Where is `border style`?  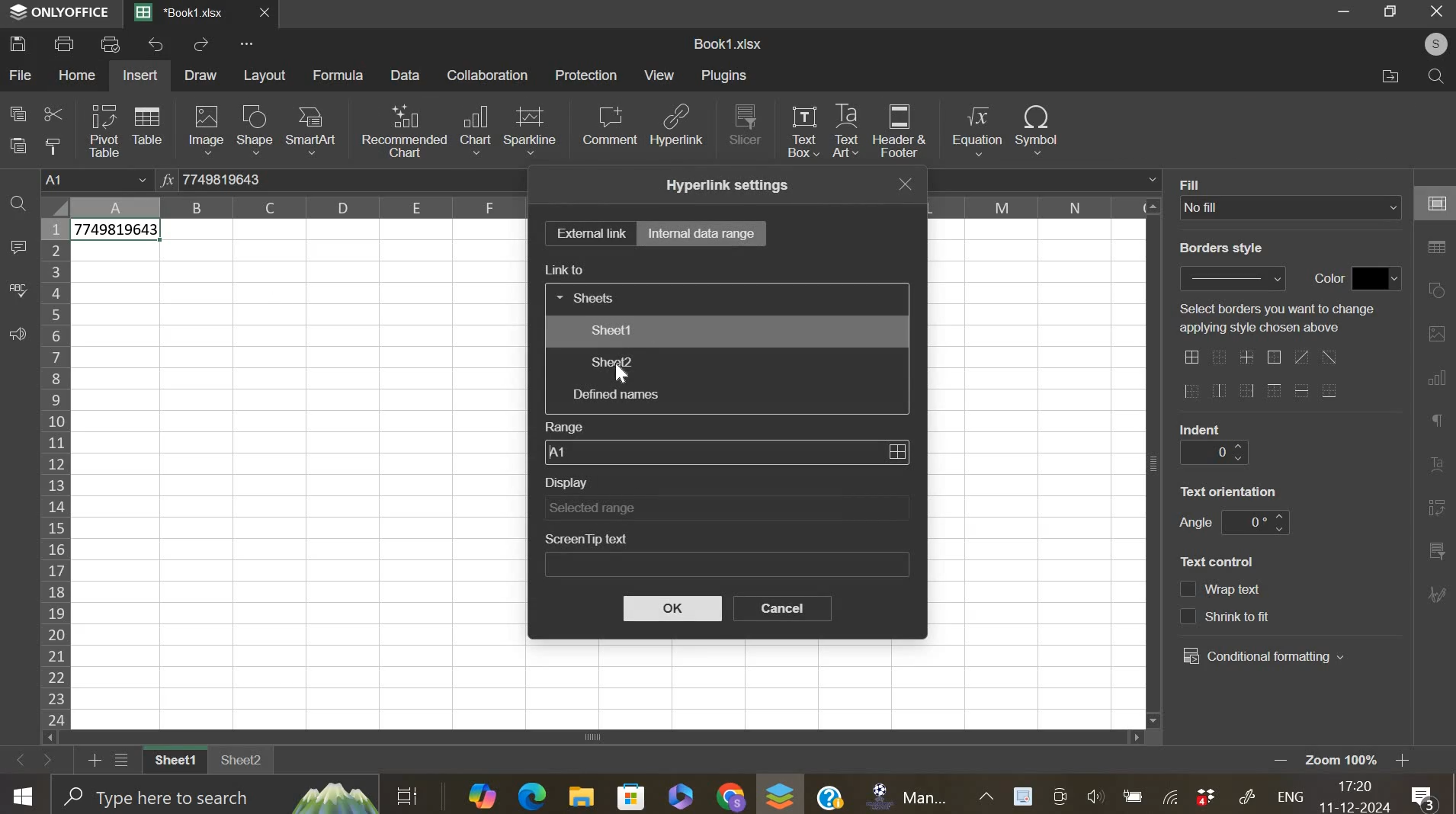 border style is located at coordinates (1232, 278).